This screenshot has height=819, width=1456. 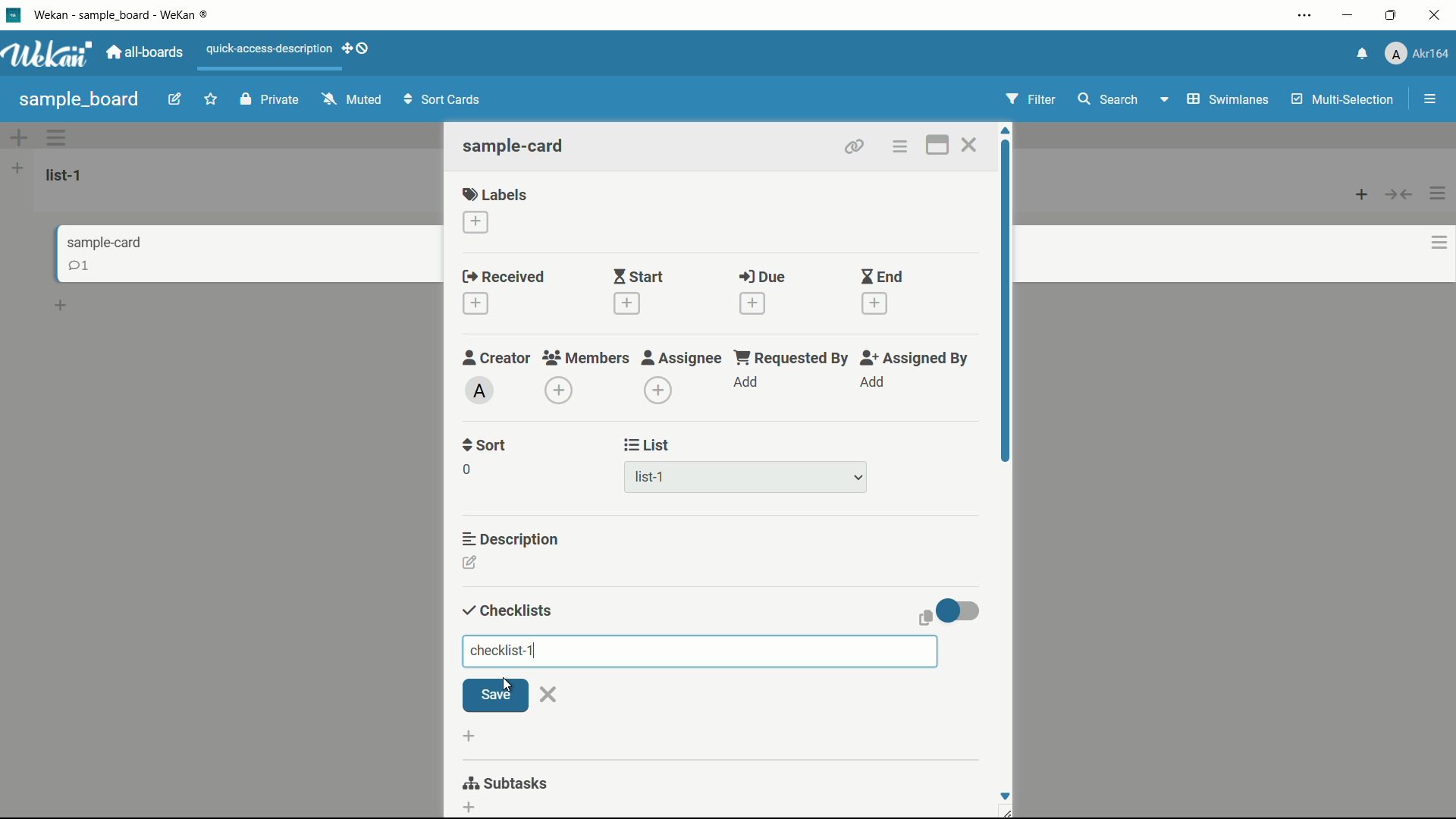 I want to click on list-1, so click(x=69, y=175).